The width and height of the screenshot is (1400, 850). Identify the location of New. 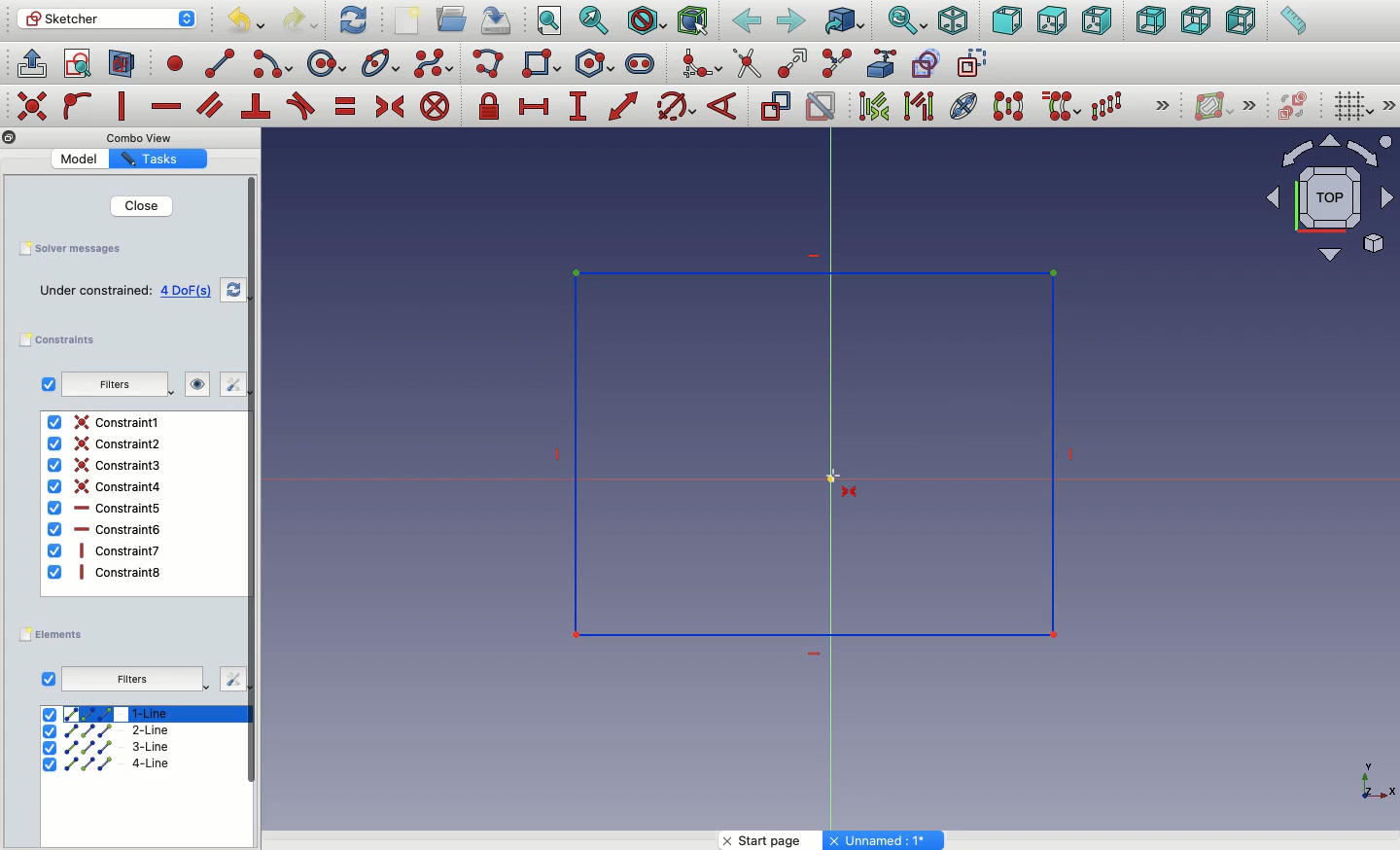
(411, 22).